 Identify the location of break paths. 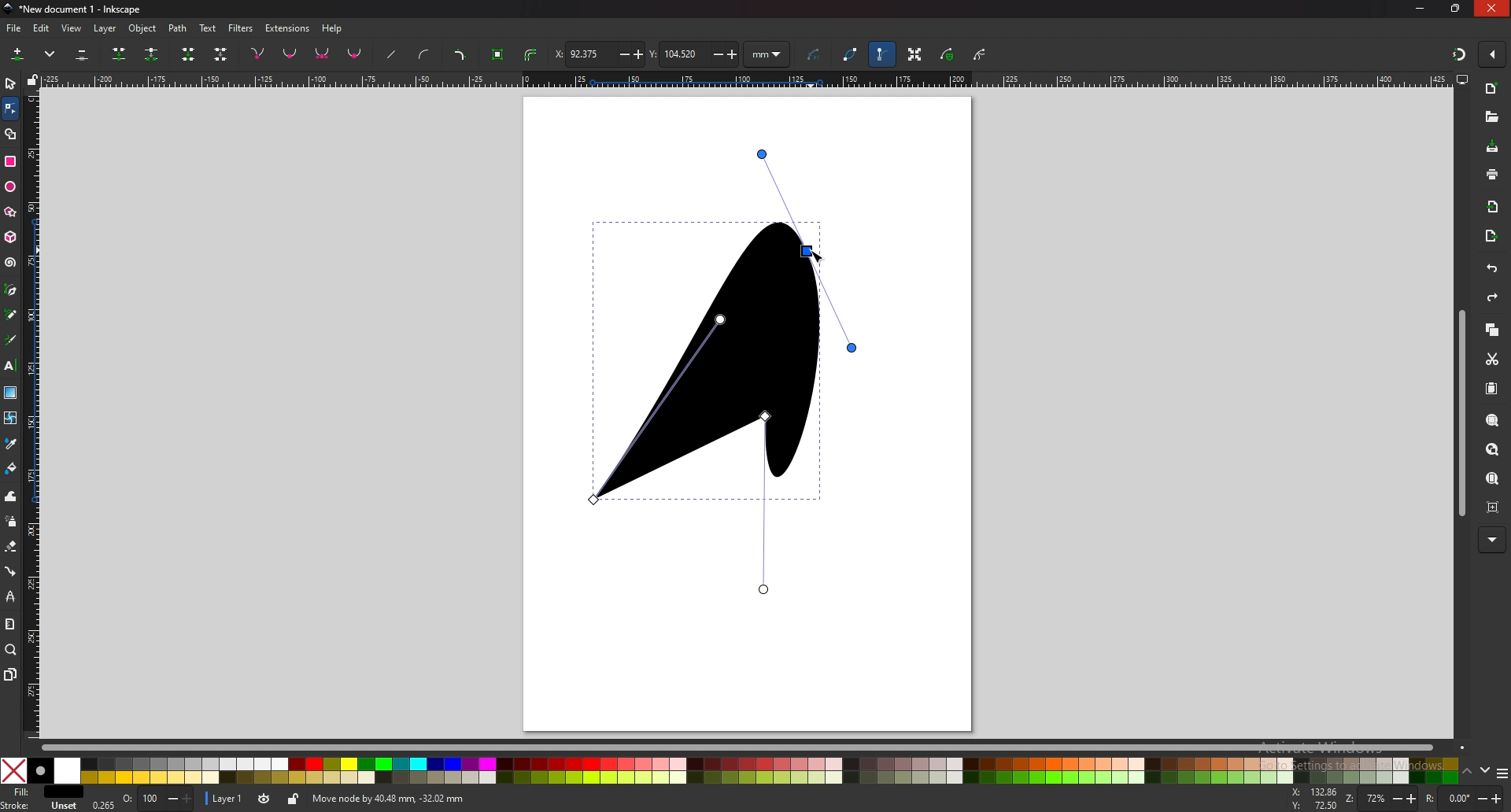
(153, 54).